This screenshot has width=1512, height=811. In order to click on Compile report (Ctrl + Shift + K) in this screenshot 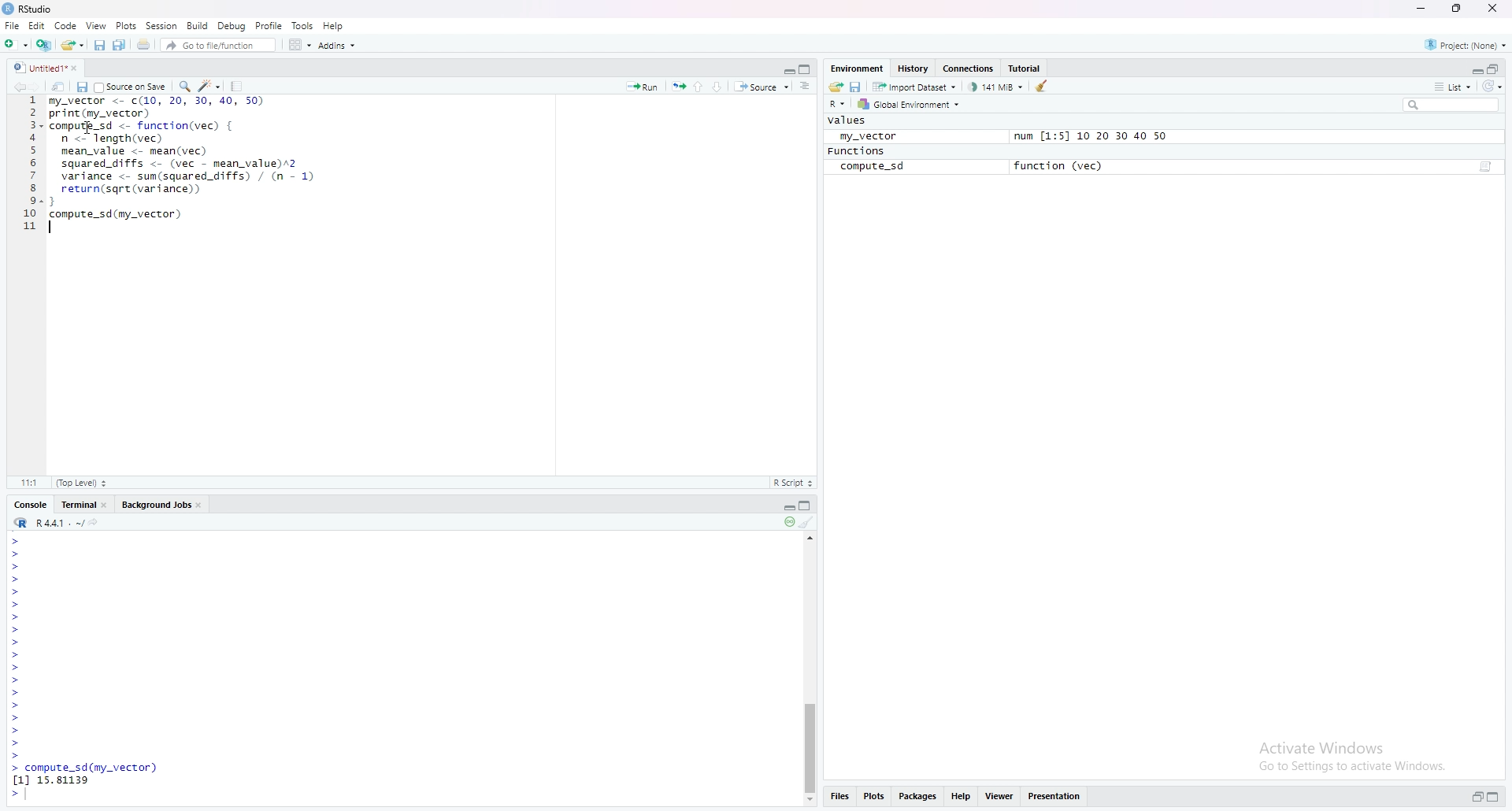, I will do `click(238, 85)`.